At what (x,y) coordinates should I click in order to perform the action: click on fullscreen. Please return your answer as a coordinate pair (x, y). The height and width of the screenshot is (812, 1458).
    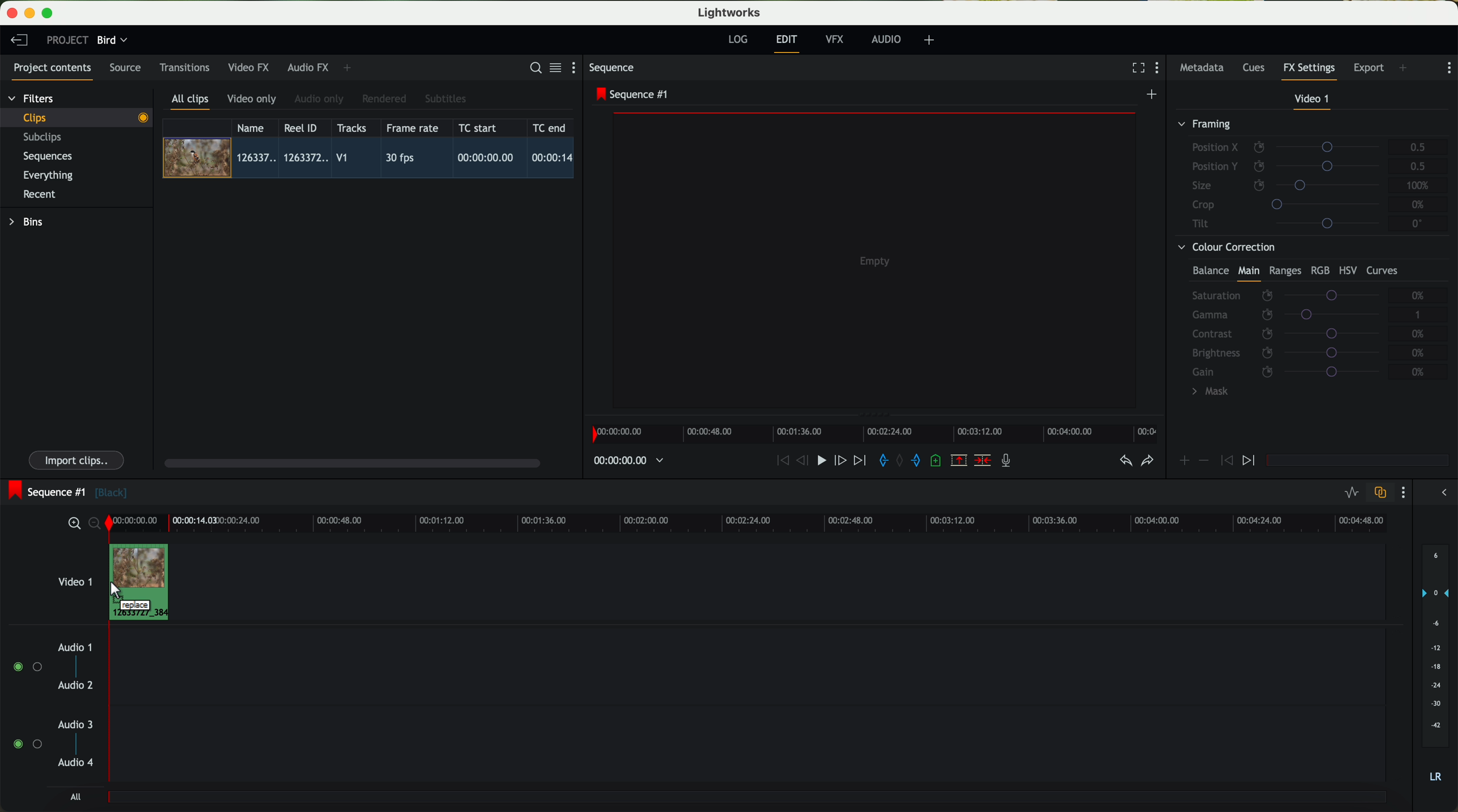
    Looking at the image, I should click on (1136, 67).